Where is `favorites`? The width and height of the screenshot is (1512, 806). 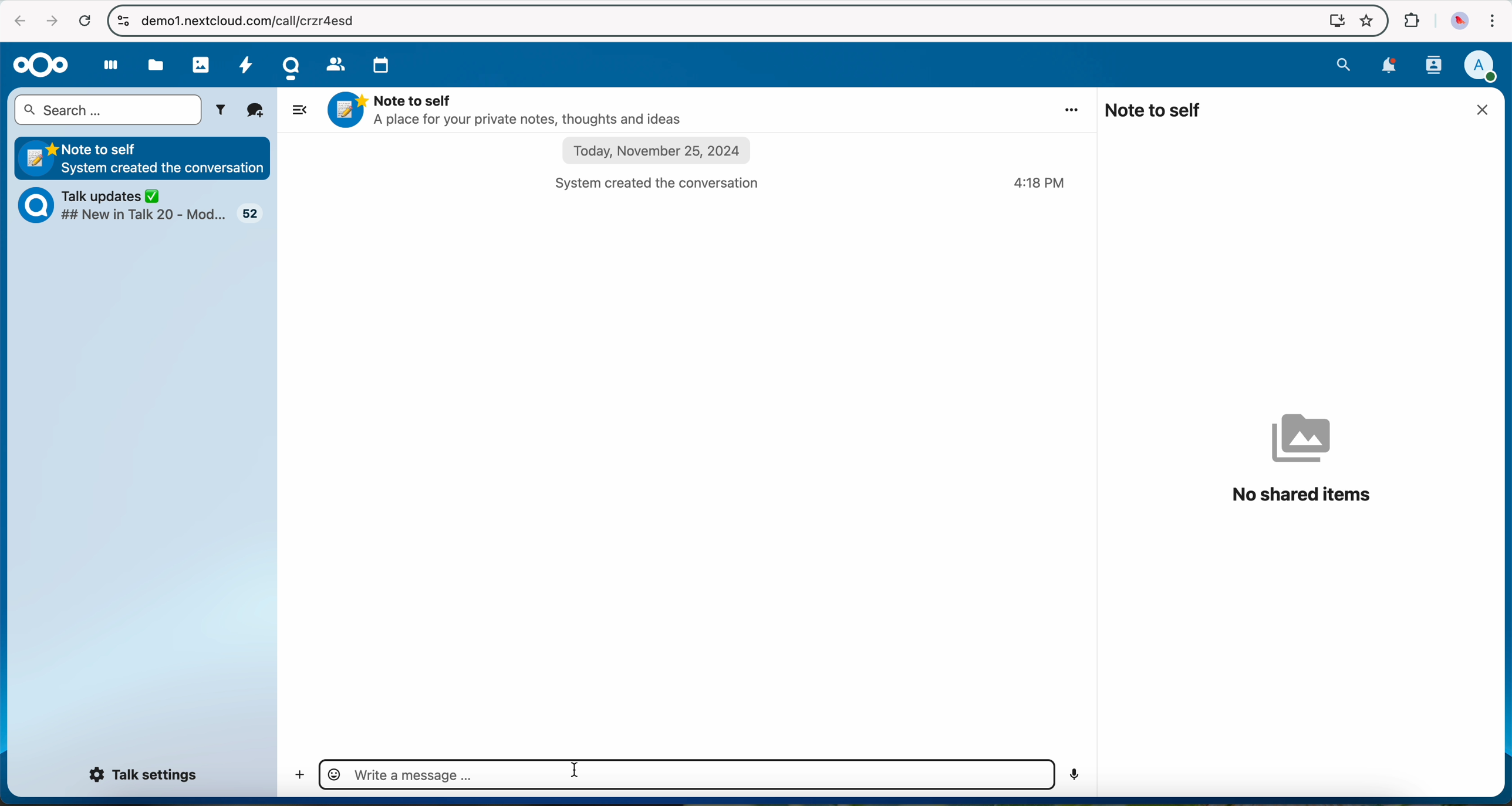 favorites is located at coordinates (1365, 21).